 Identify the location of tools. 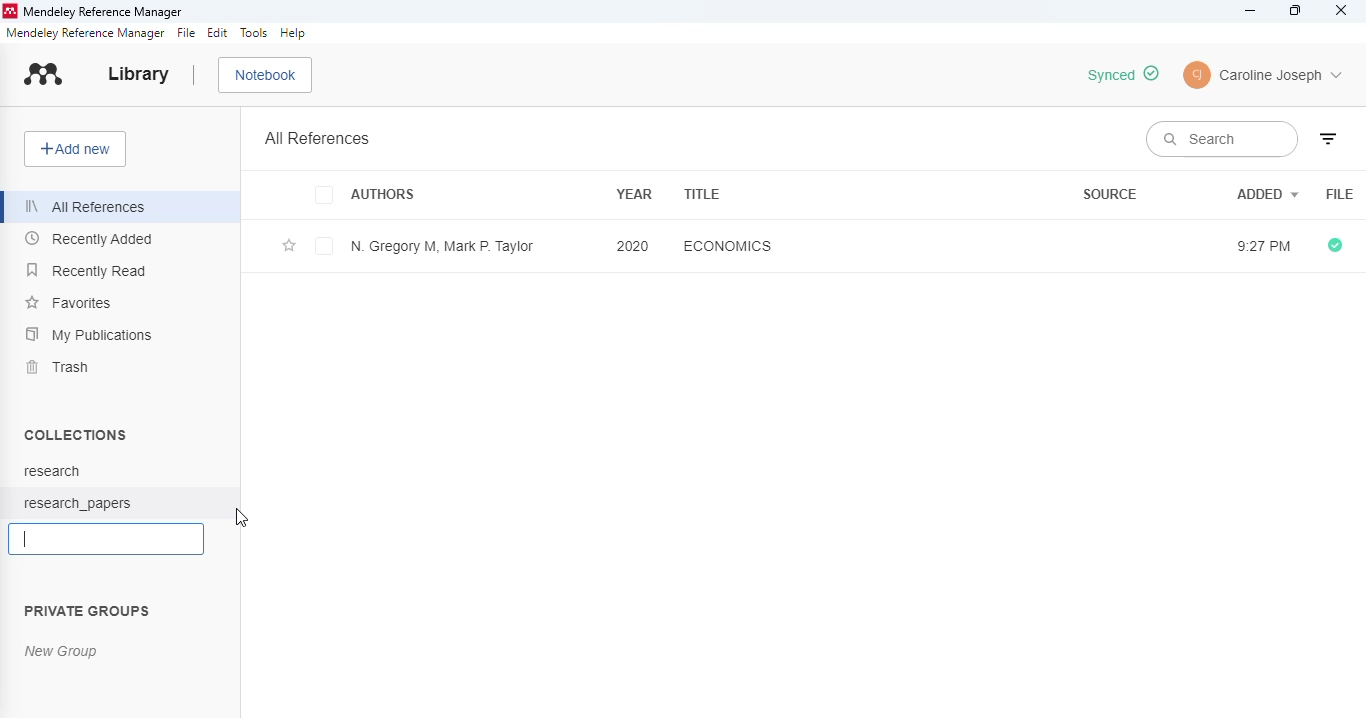
(254, 33).